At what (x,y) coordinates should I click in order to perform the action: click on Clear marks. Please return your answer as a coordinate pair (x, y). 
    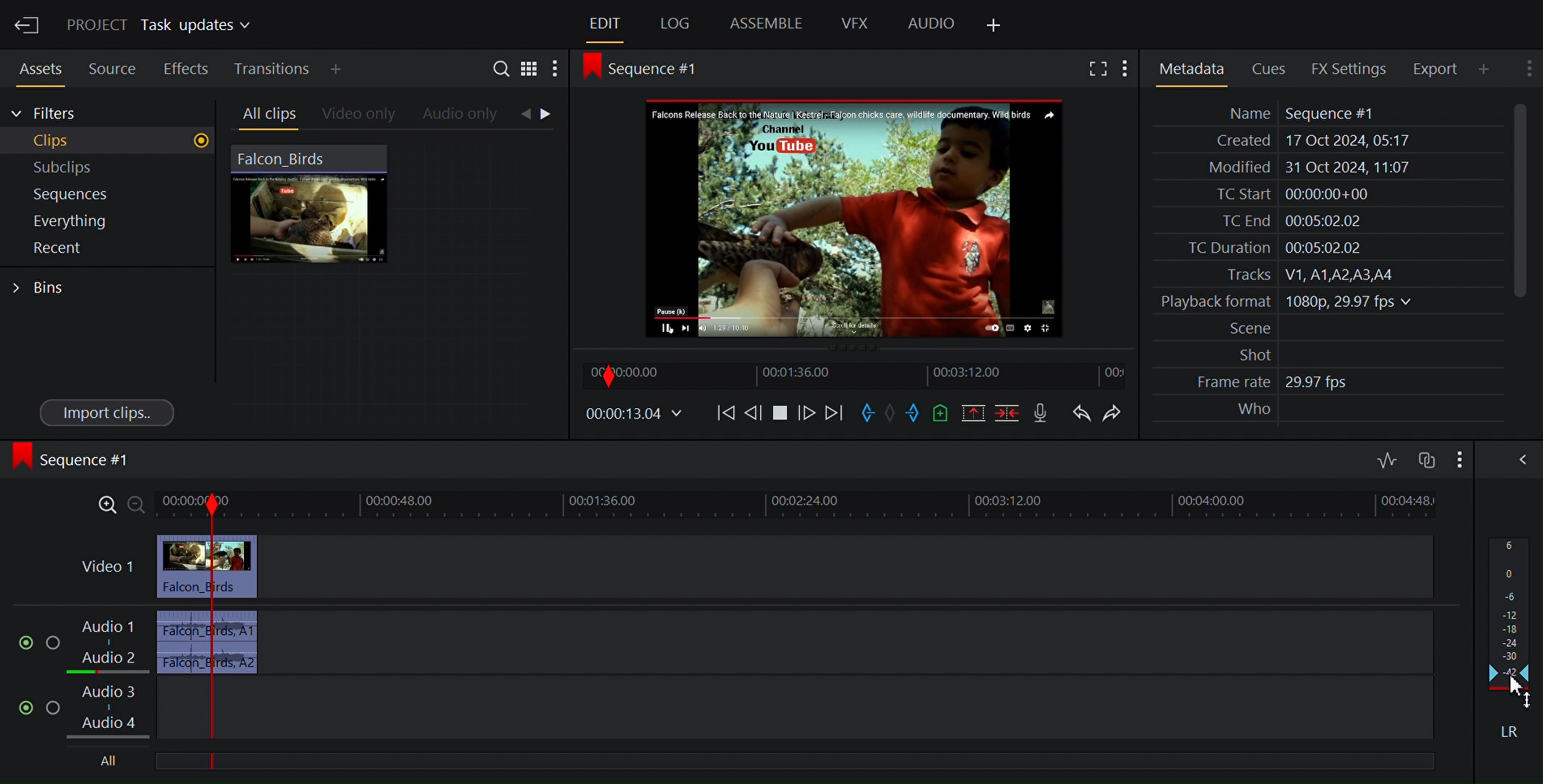
    Looking at the image, I should click on (891, 415).